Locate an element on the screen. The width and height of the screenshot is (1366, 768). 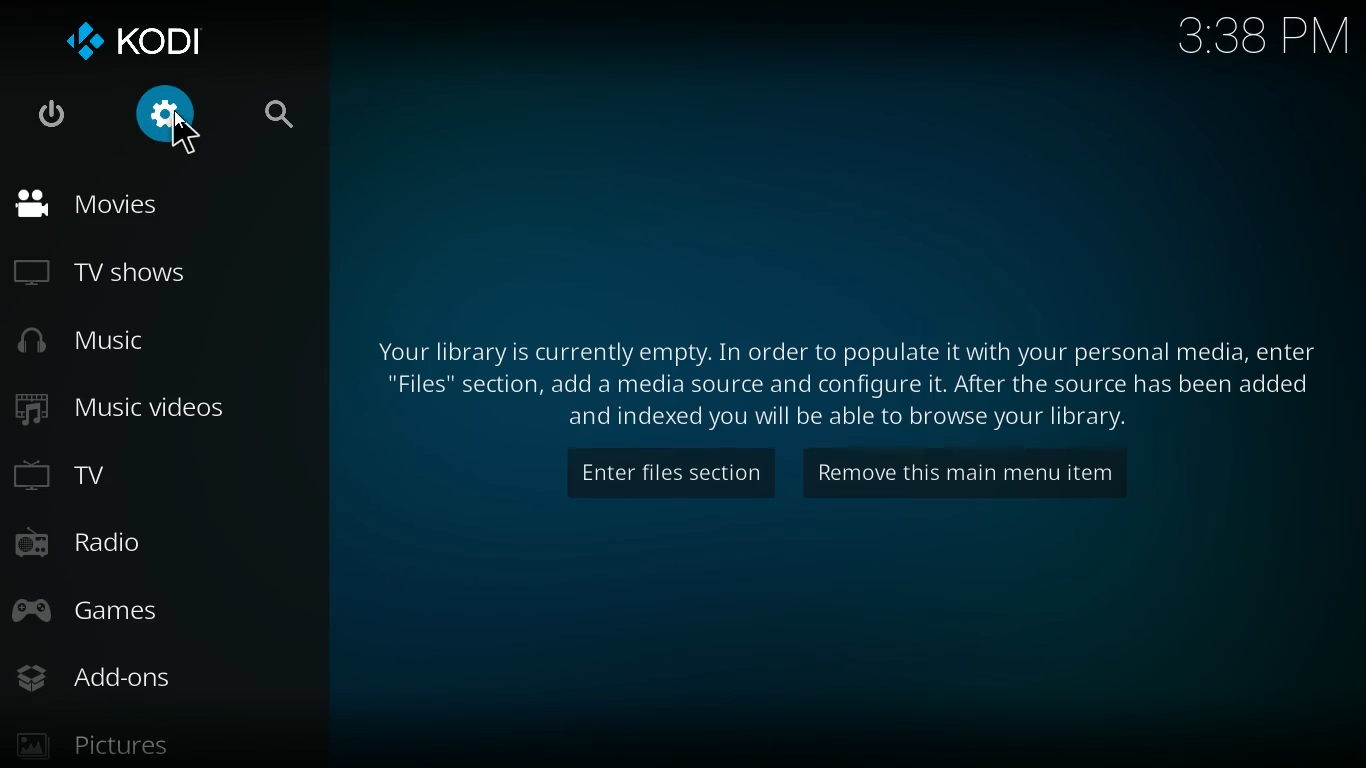
search is located at coordinates (276, 115).